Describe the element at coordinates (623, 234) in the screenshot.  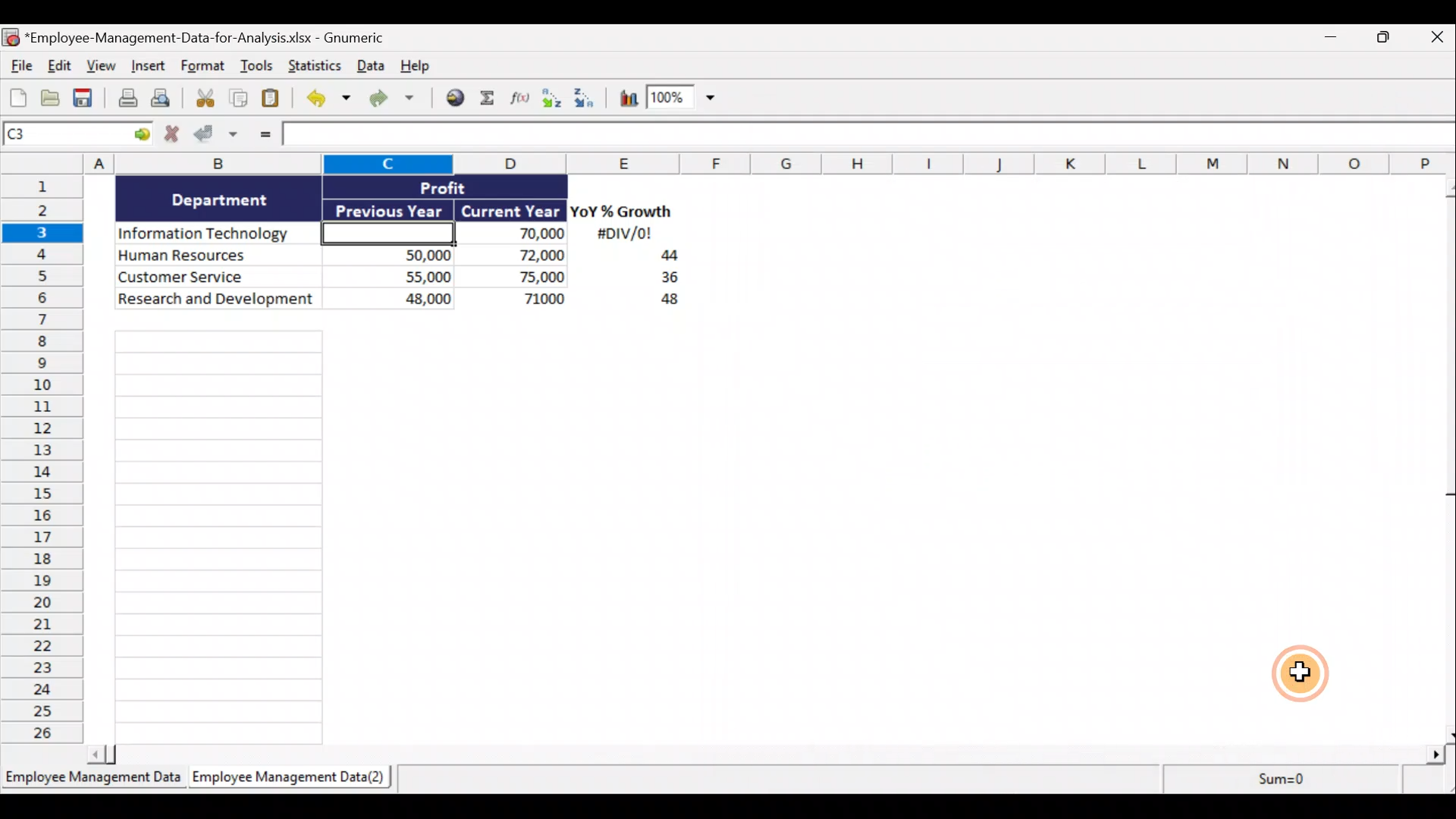
I see `#DIV/0!` at that location.